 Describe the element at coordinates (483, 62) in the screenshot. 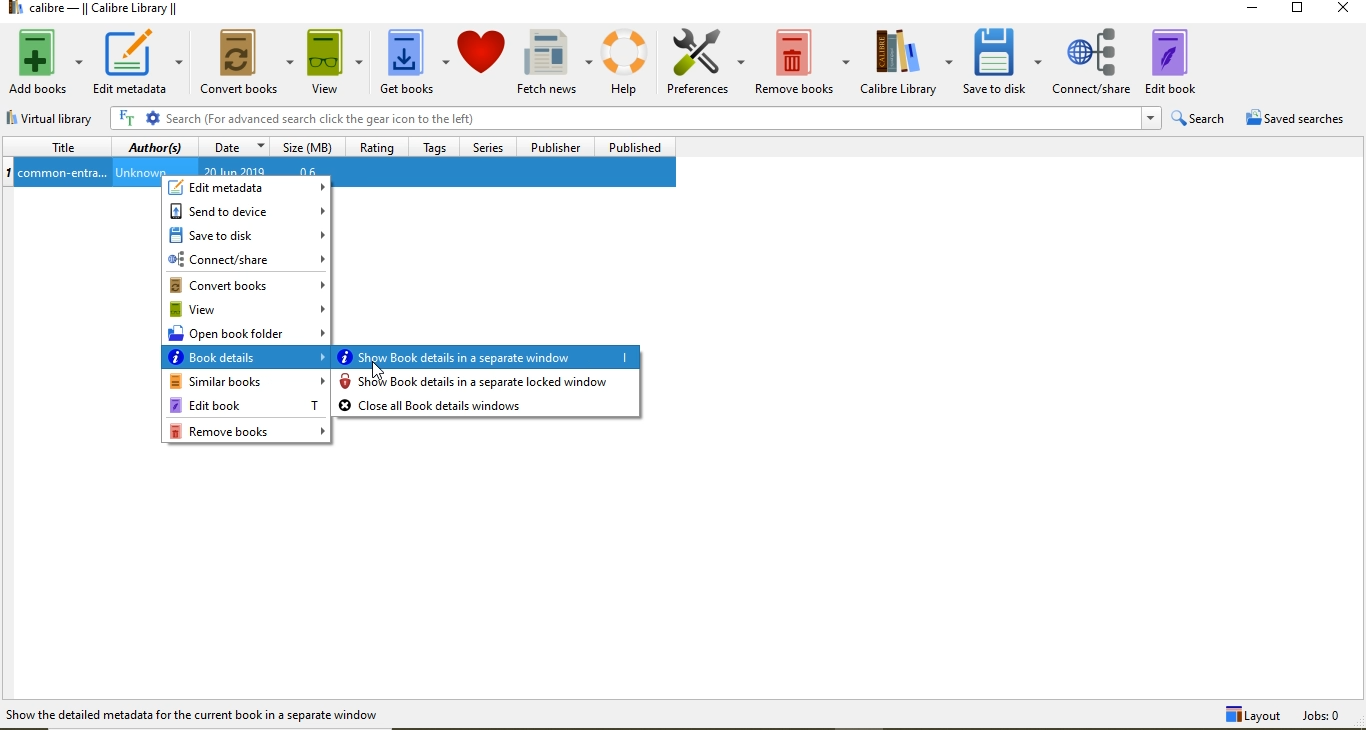

I see `Donate to calibre` at that location.